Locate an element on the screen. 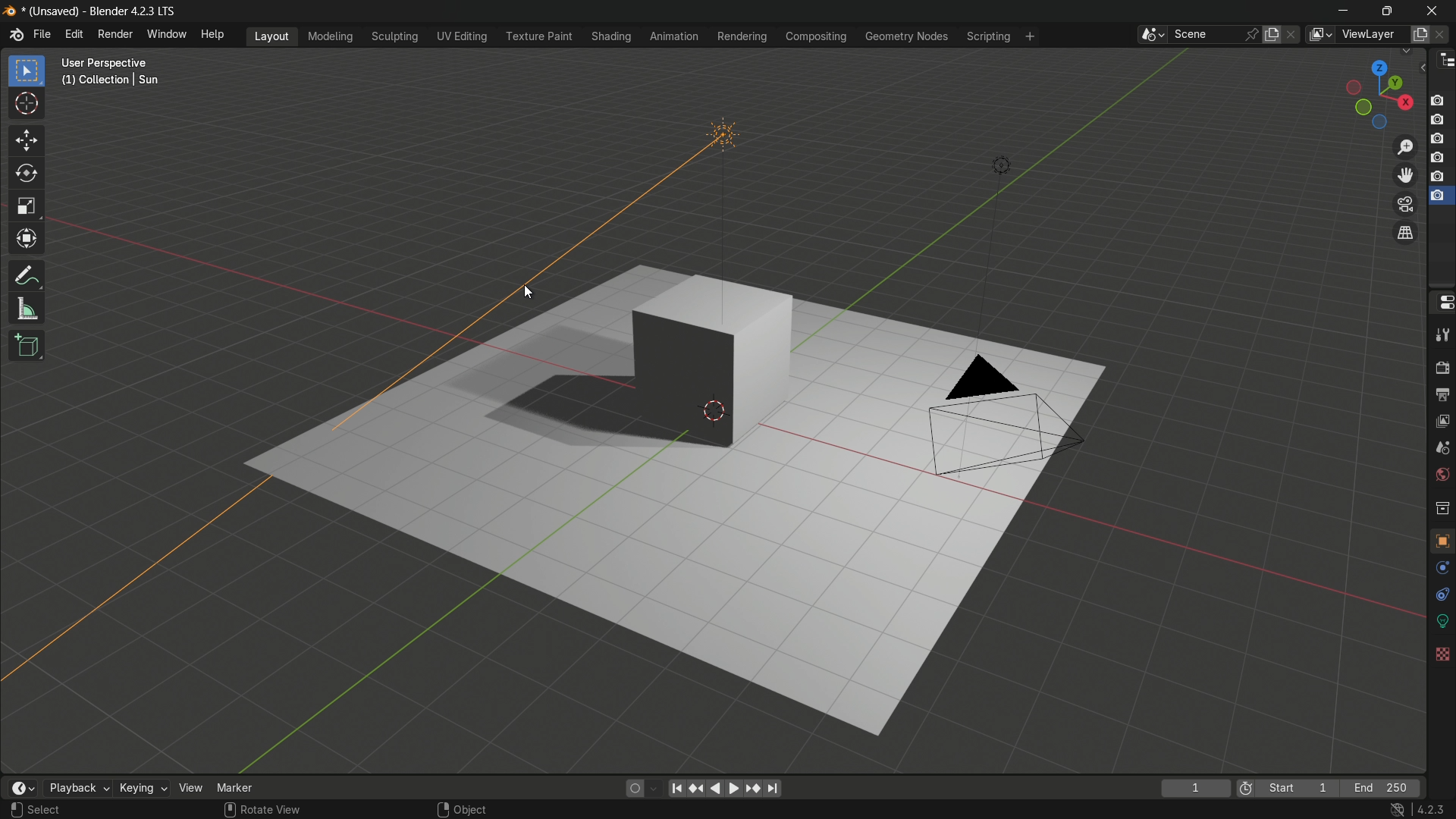 The height and width of the screenshot is (819, 1456). layer 1 is located at coordinates (1438, 100).